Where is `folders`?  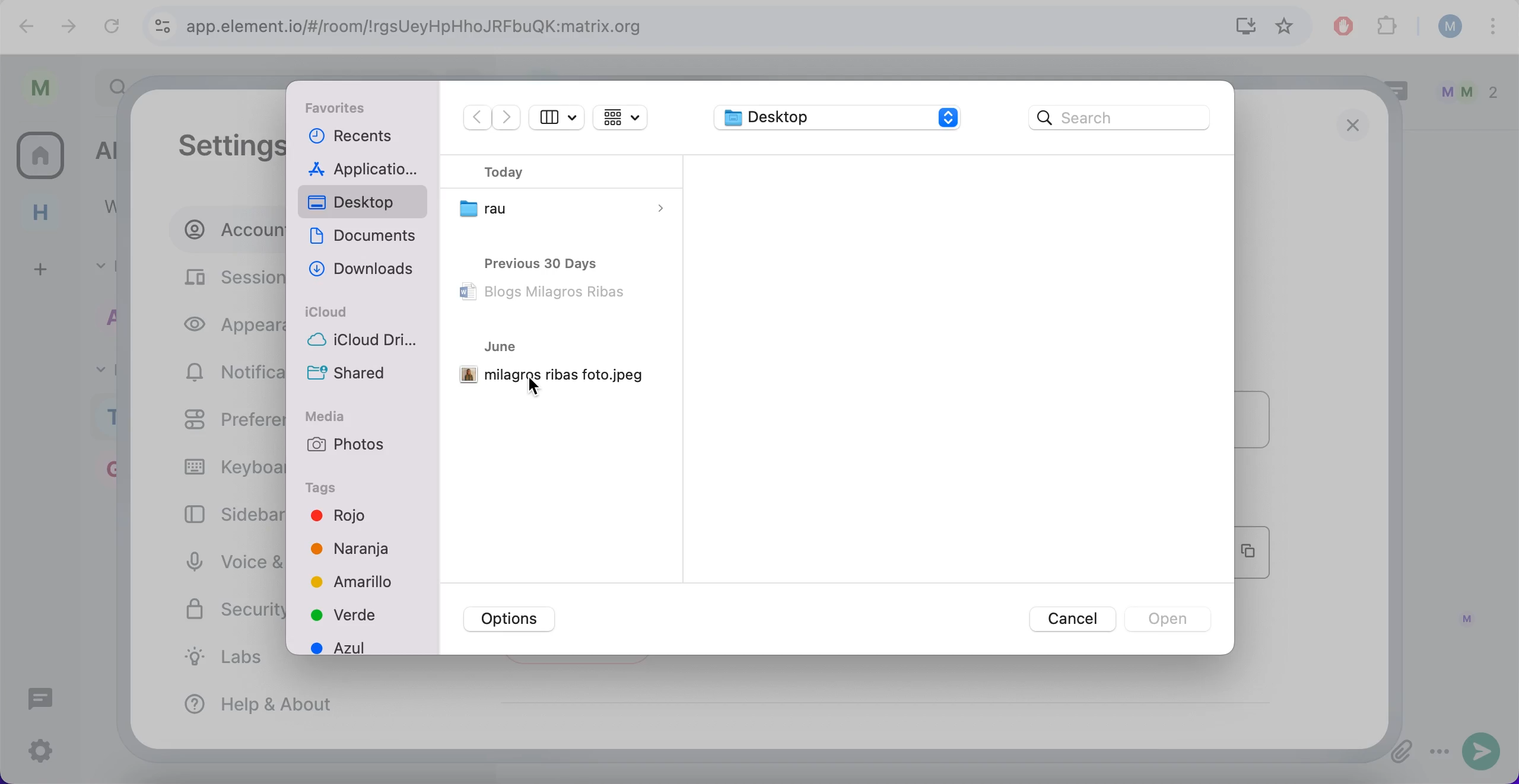
folders is located at coordinates (563, 213).